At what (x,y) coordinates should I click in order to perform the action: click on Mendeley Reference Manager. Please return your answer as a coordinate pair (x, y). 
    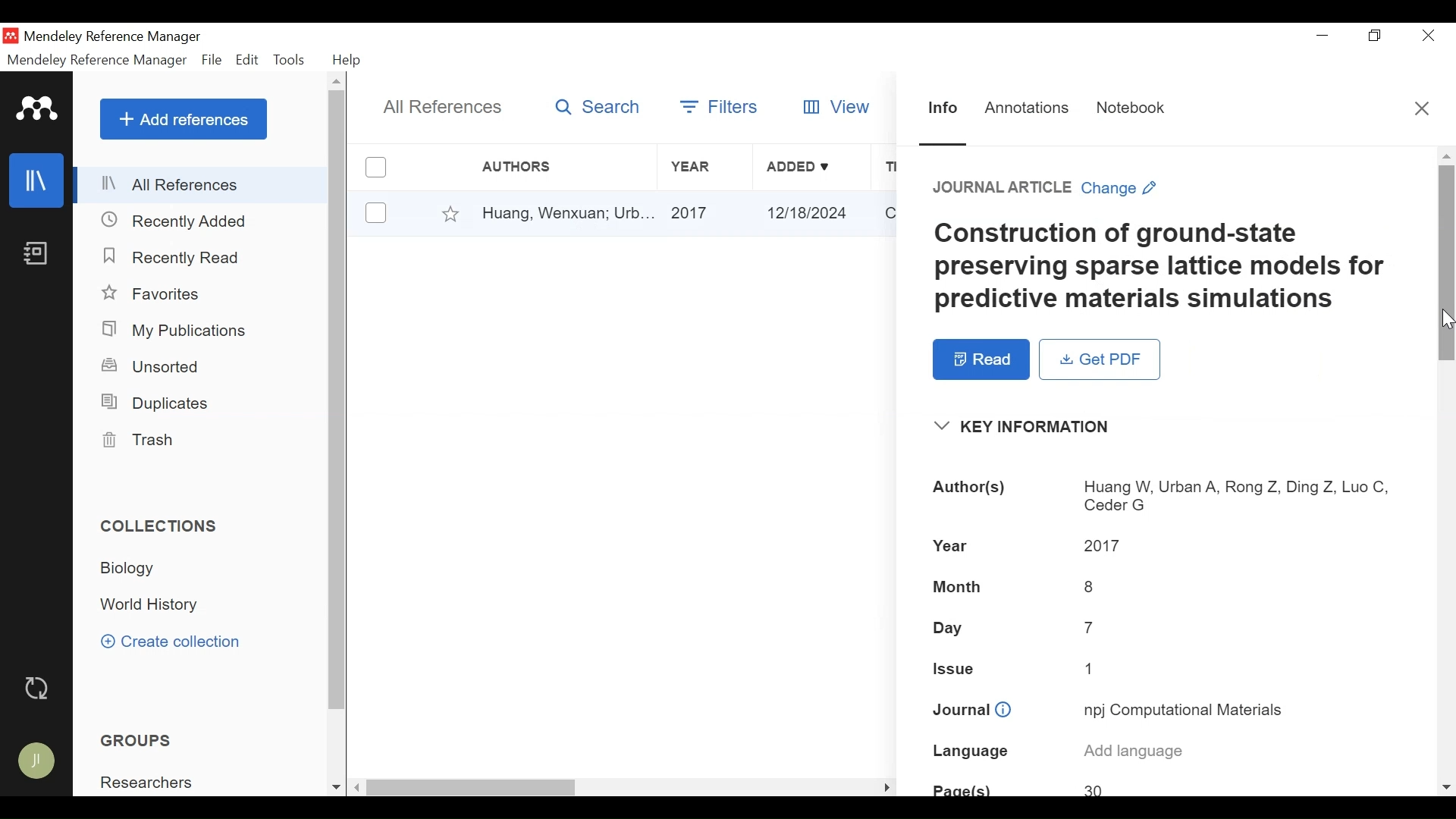
    Looking at the image, I should click on (97, 61).